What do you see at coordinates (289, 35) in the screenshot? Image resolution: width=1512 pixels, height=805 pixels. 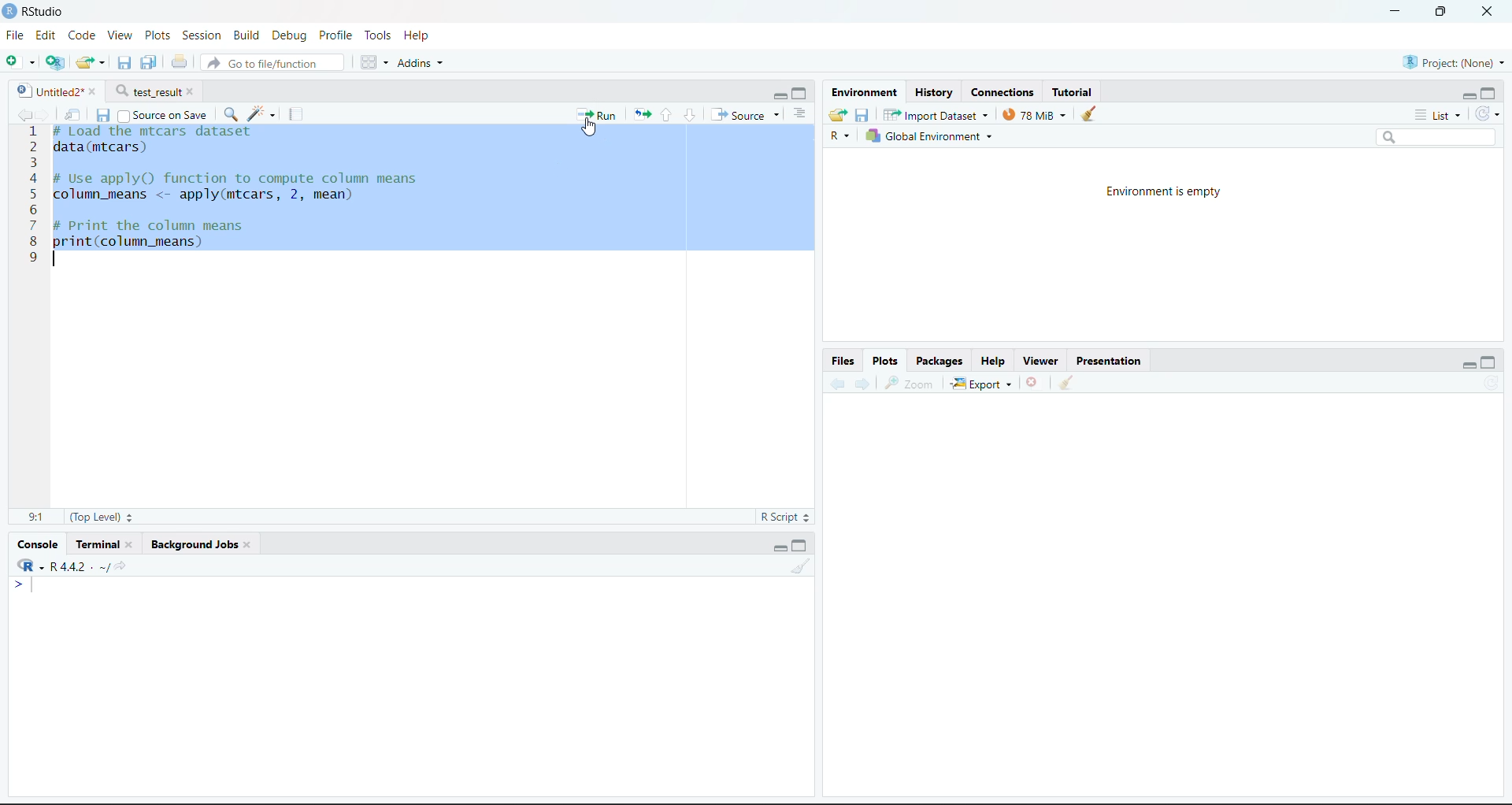 I see `Debug` at bounding box center [289, 35].